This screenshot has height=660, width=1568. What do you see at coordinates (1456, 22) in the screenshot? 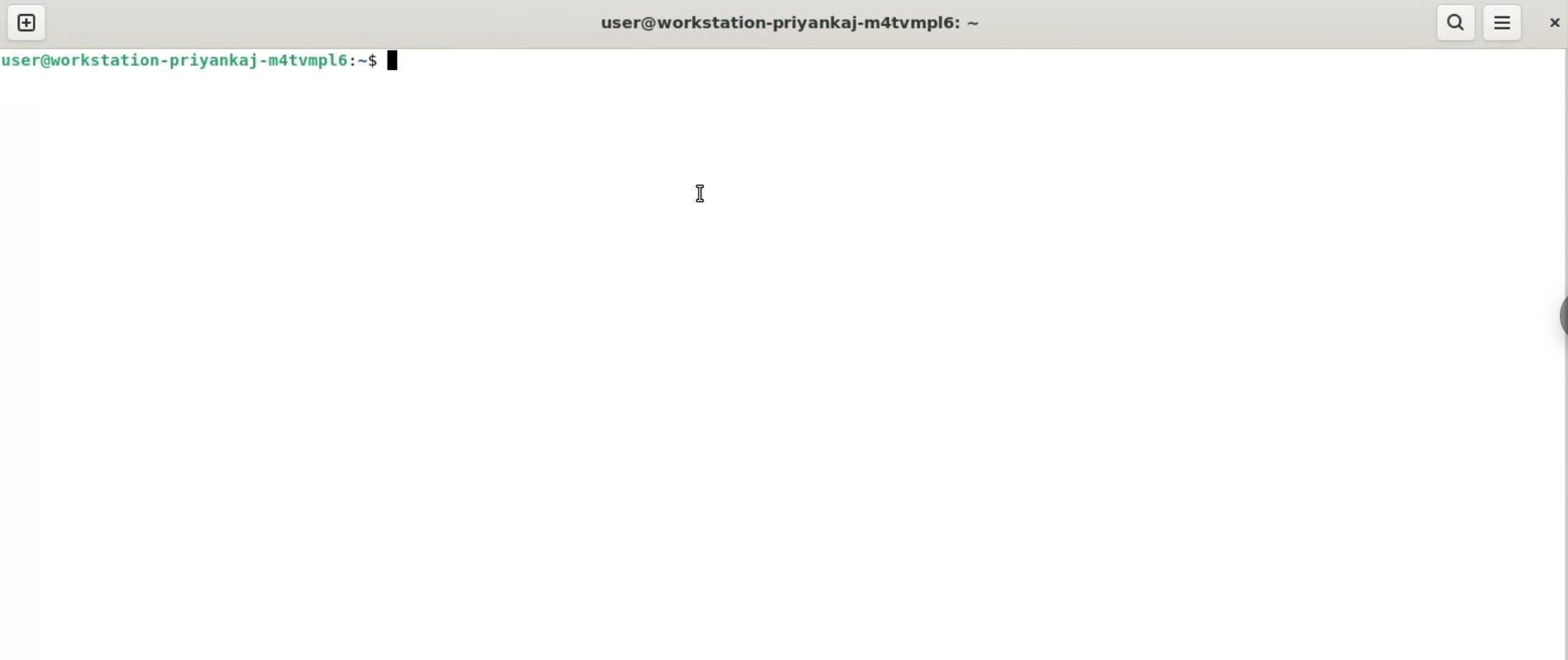
I see `search` at bounding box center [1456, 22].